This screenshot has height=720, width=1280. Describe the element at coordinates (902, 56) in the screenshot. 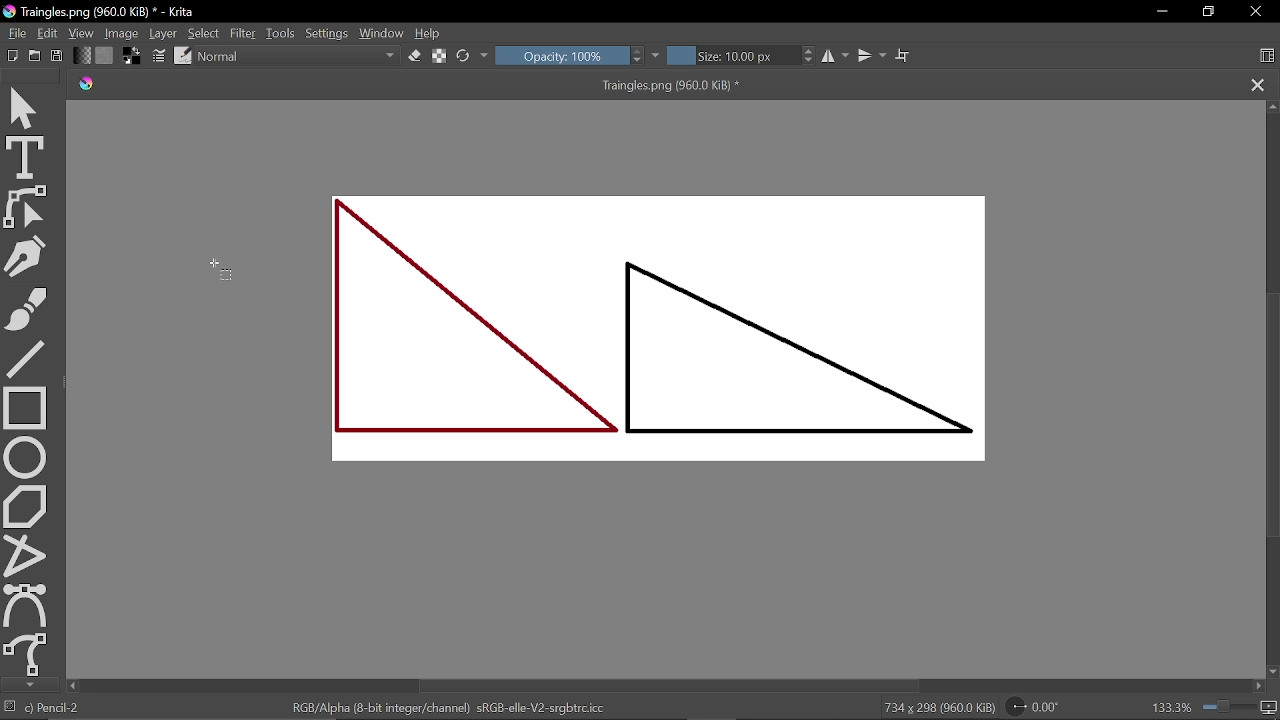

I see `Wrap around tool` at that location.